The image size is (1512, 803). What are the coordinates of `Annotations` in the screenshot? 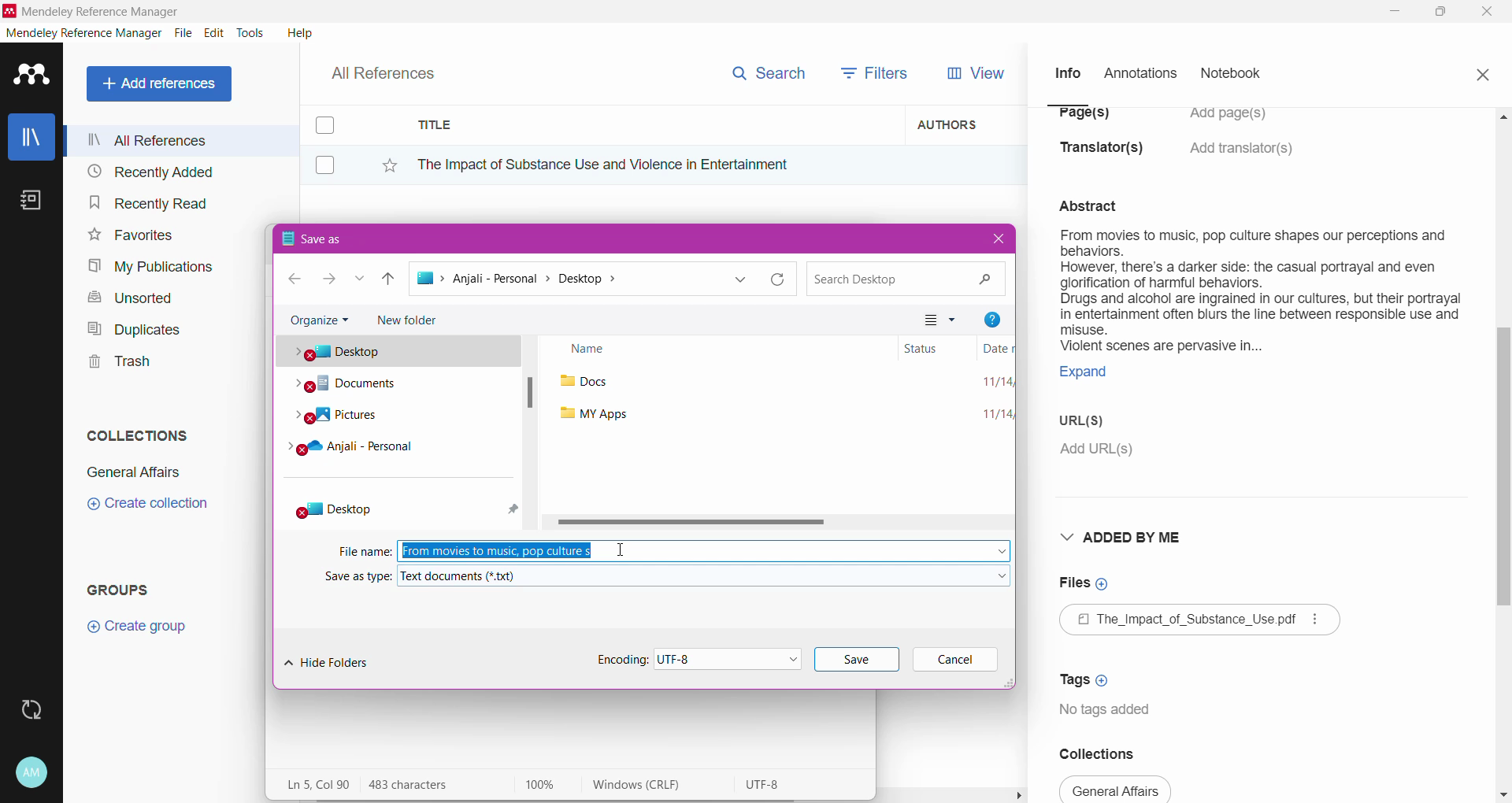 It's located at (1139, 74).